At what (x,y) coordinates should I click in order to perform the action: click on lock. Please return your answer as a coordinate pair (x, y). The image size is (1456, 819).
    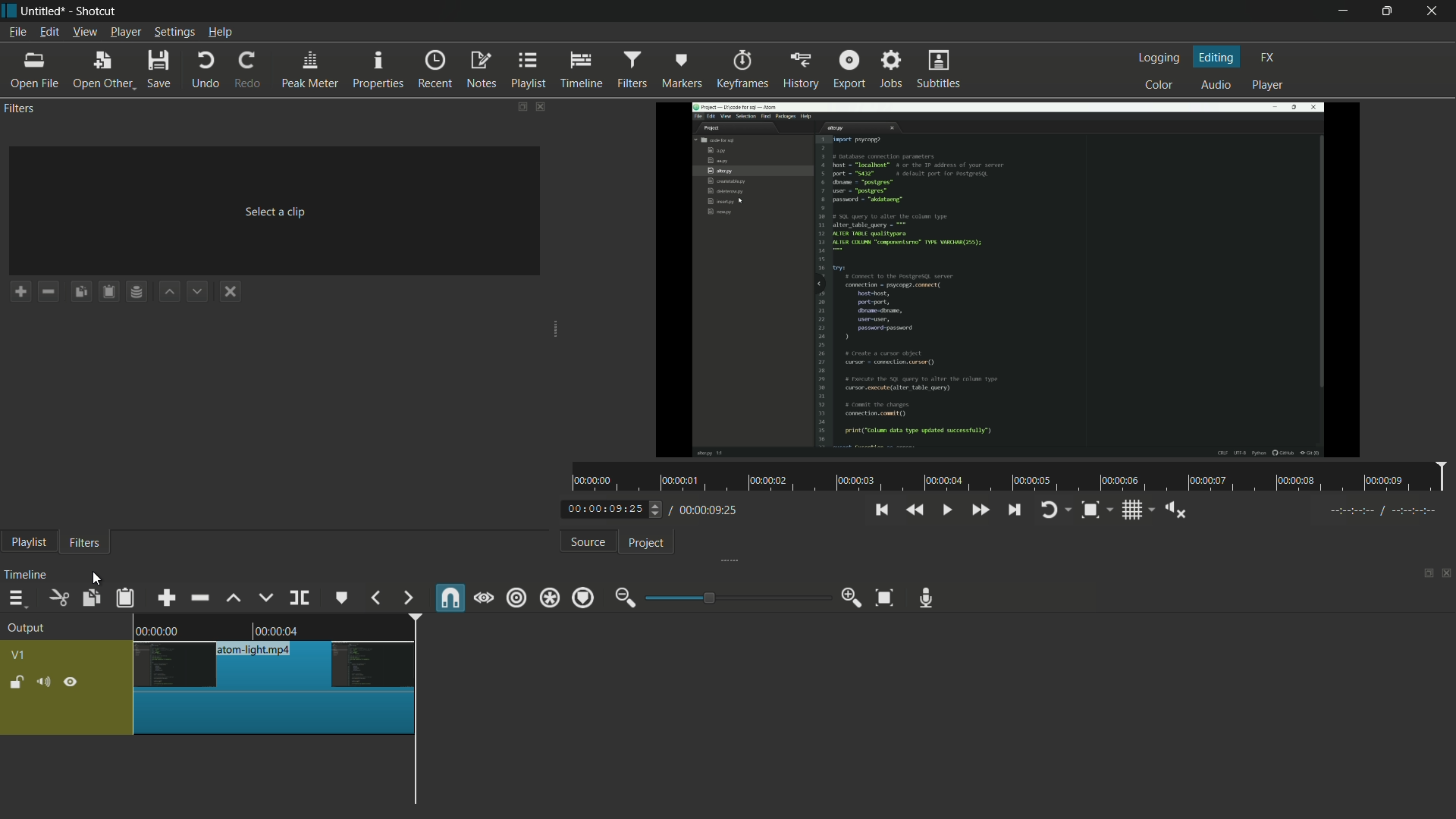
    Looking at the image, I should click on (17, 683).